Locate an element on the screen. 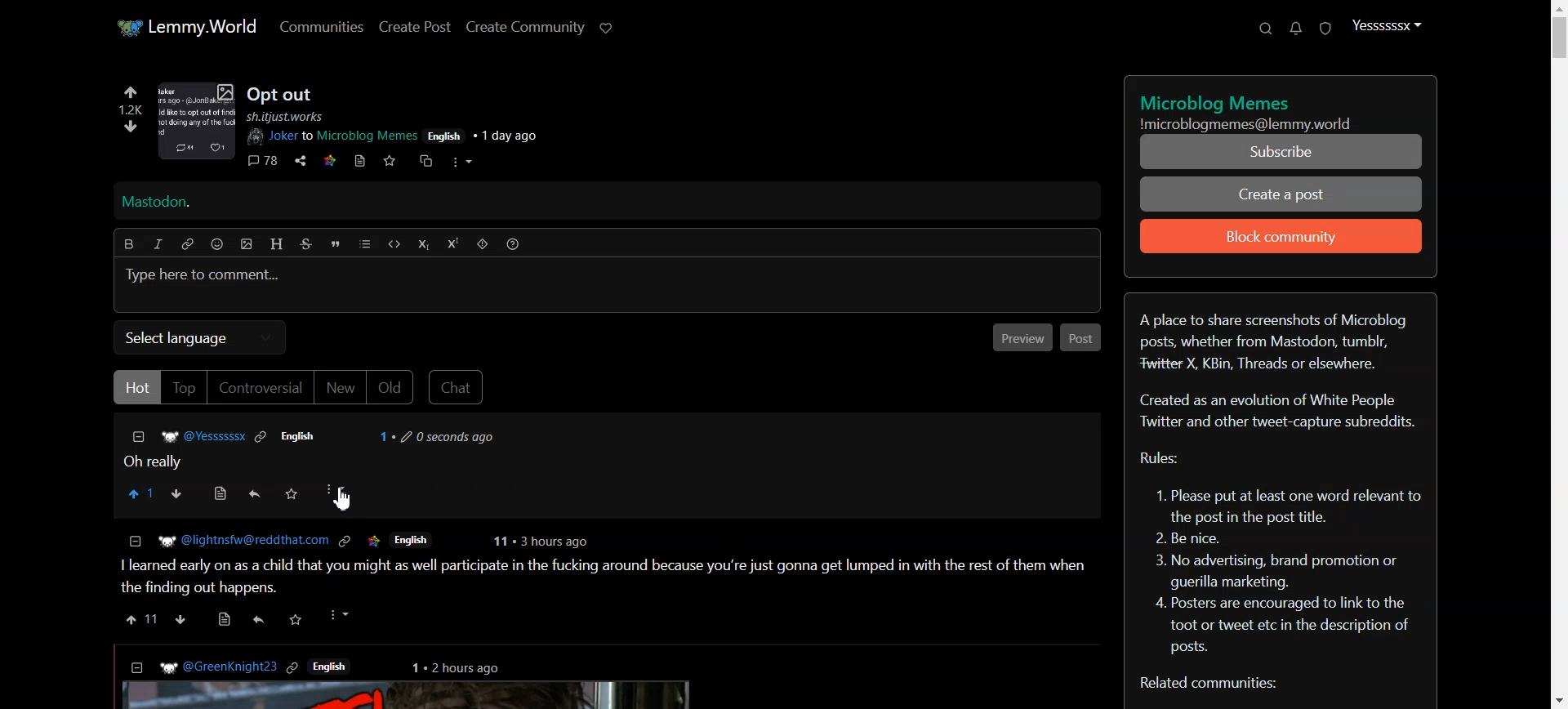 This screenshot has width=1568, height=709. cursor is located at coordinates (348, 502).